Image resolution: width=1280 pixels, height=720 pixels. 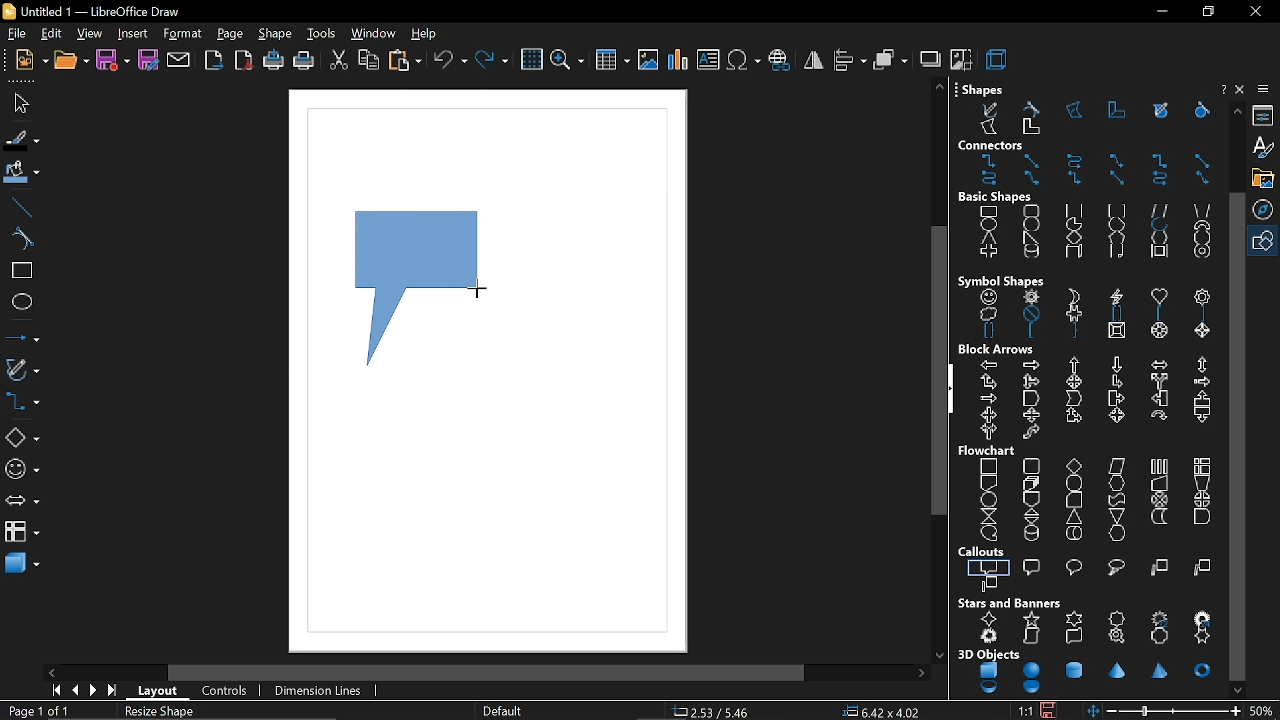 I want to click on decision, so click(x=1074, y=465).